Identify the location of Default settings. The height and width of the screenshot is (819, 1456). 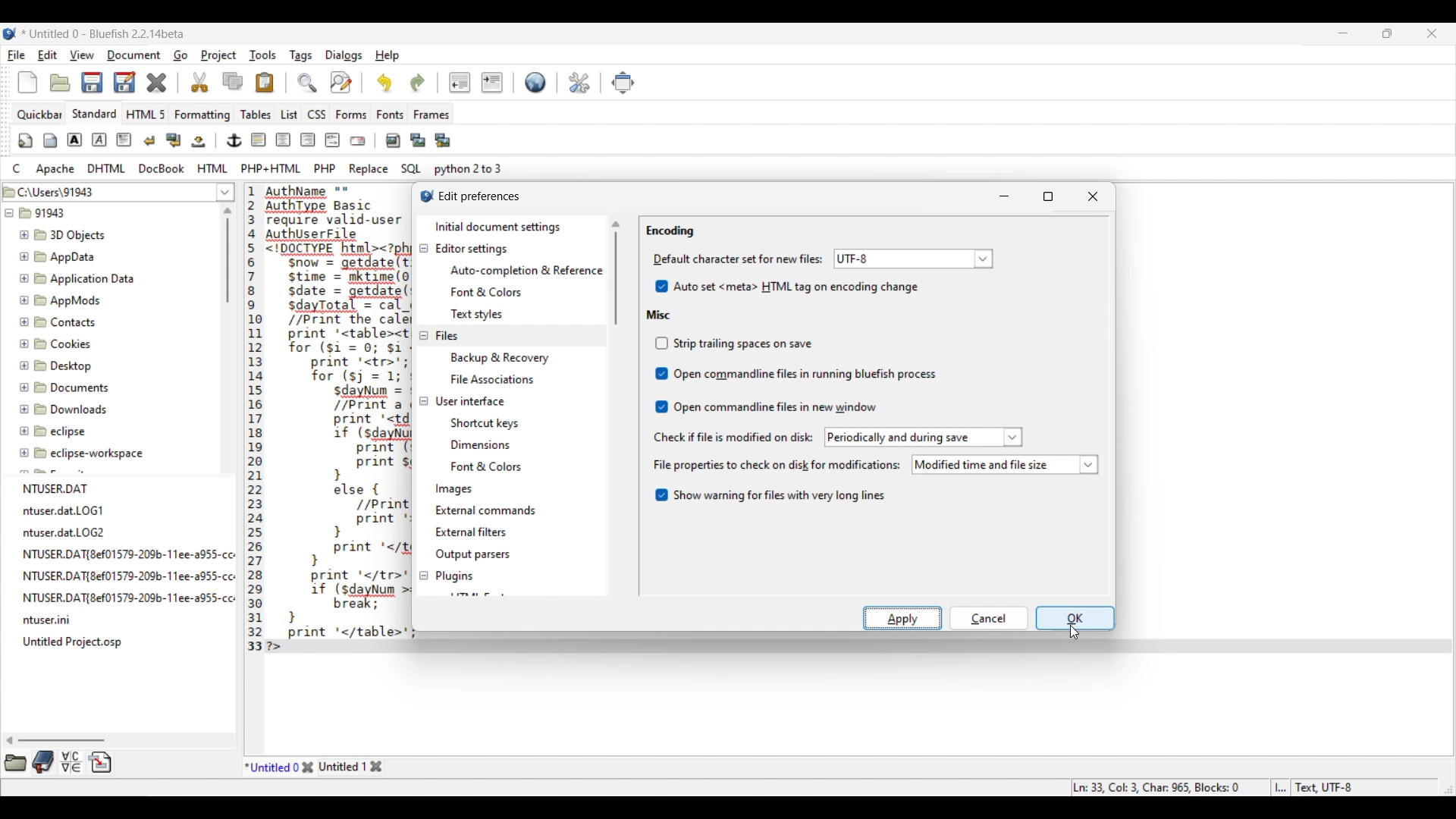
(535, 82).